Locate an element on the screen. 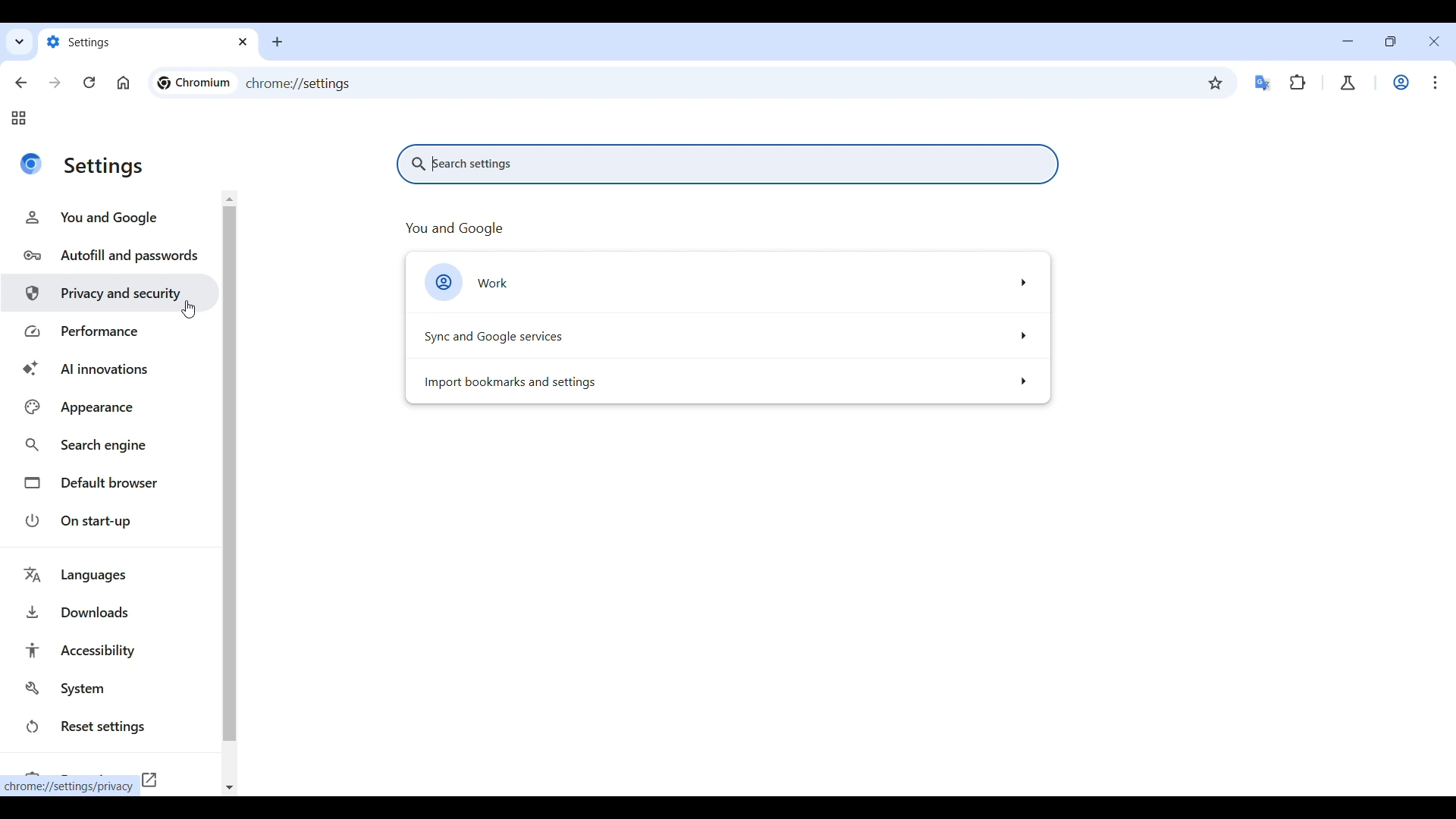 Image resolution: width=1456 pixels, height=819 pixels. You and Google is located at coordinates (111, 218).